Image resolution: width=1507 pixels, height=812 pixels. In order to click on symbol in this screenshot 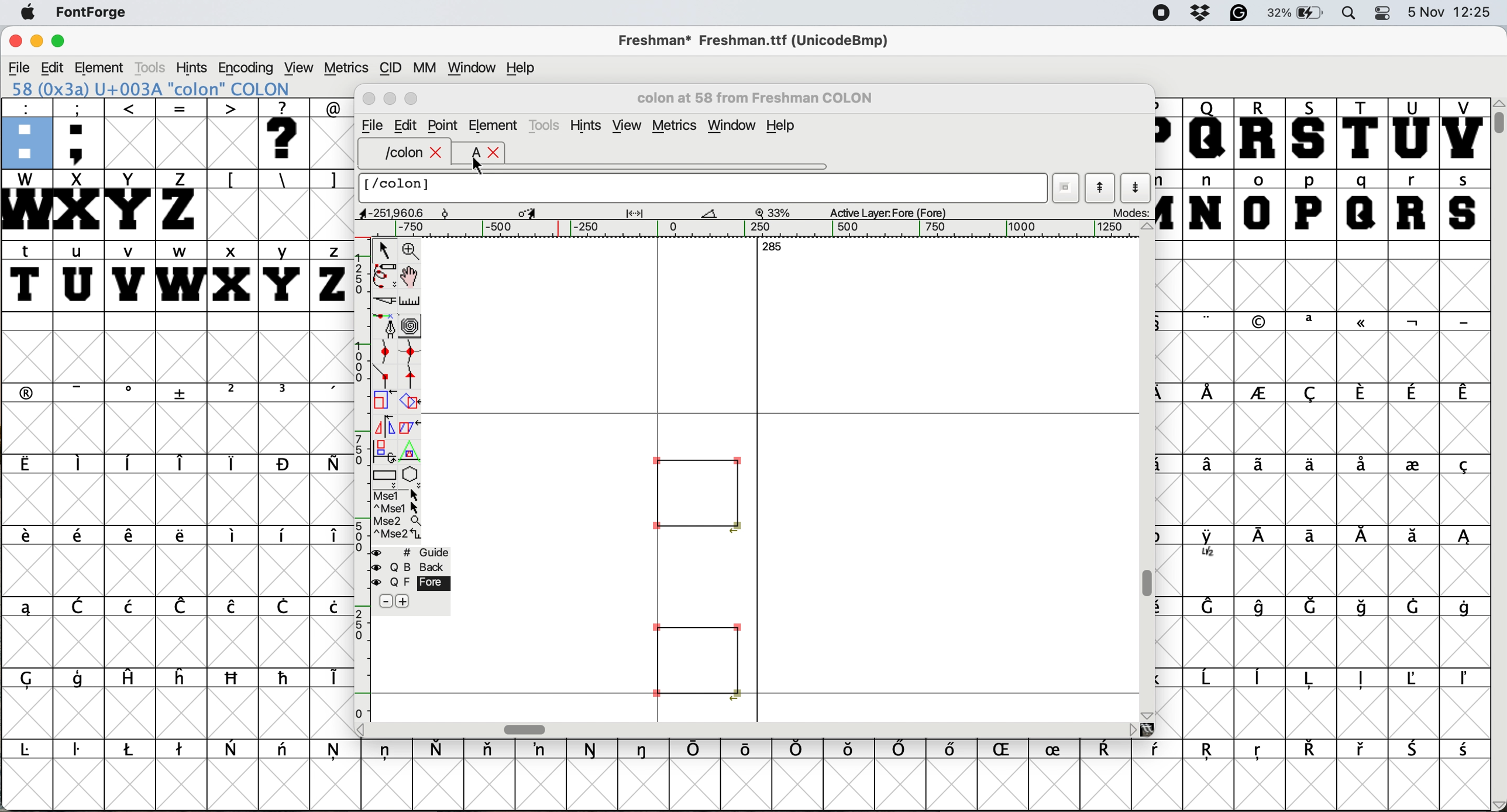, I will do `click(1210, 753)`.